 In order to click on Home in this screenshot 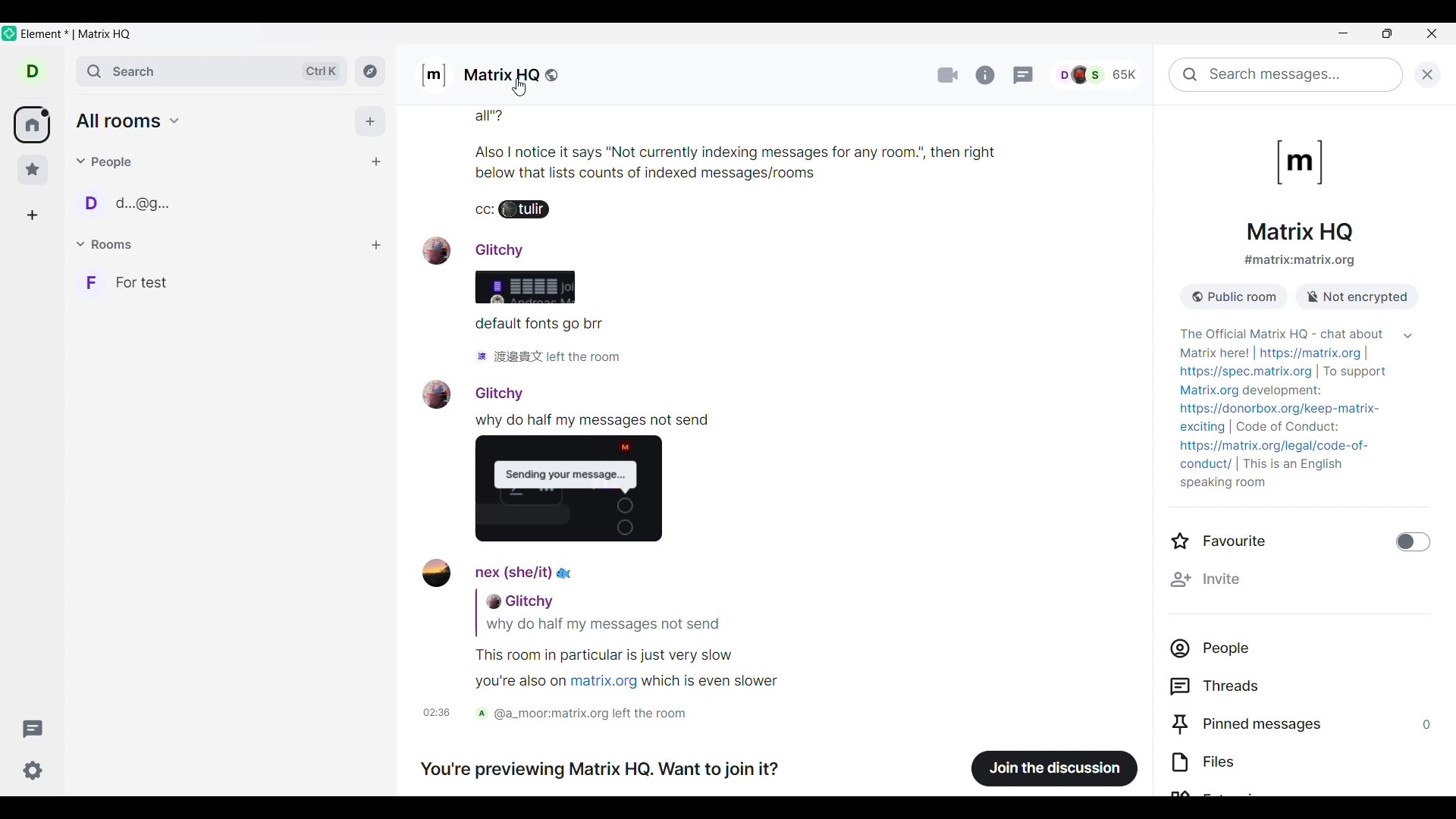, I will do `click(31, 124)`.